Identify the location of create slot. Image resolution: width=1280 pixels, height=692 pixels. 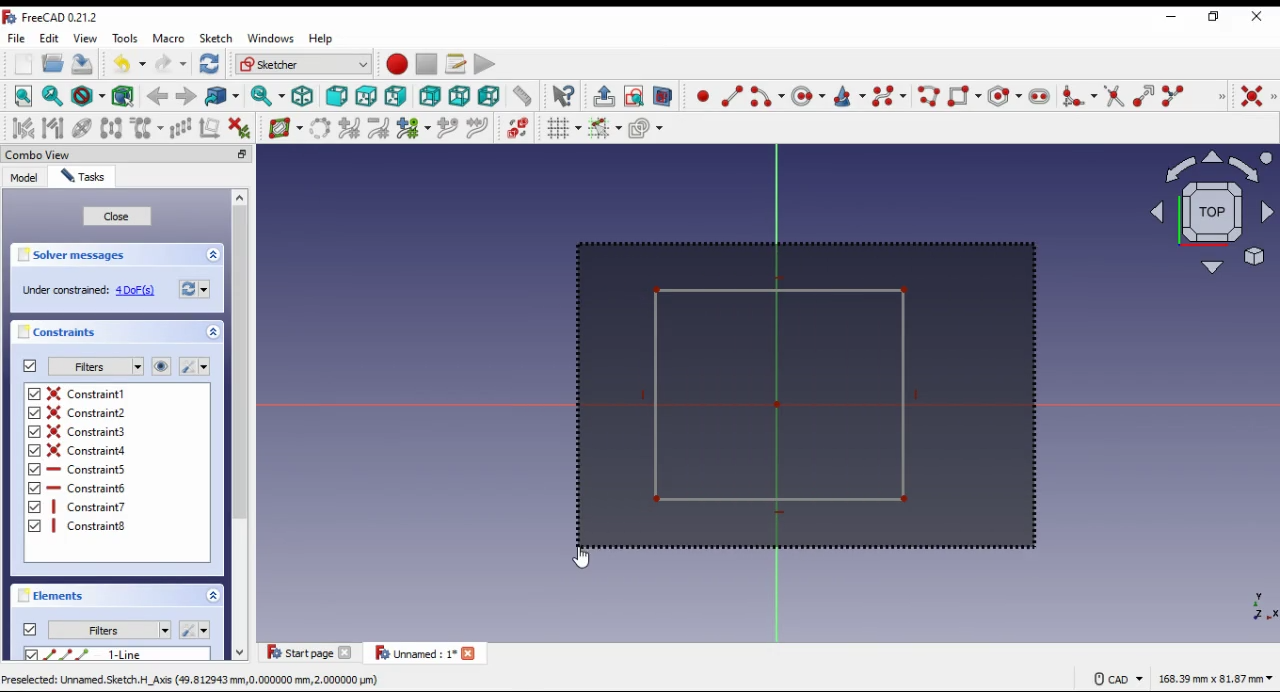
(1040, 96).